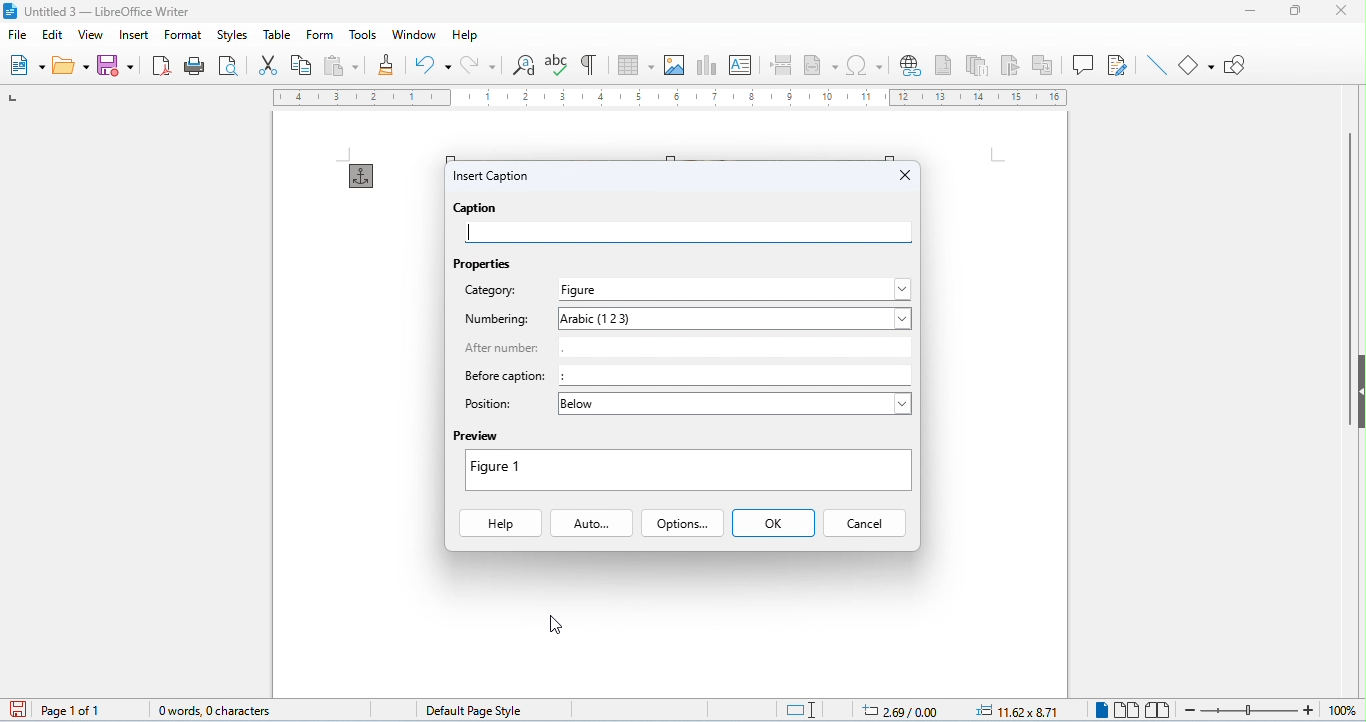 The height and width of the screenshot is (722, 1366). I want to click on table, so click(275, 34).